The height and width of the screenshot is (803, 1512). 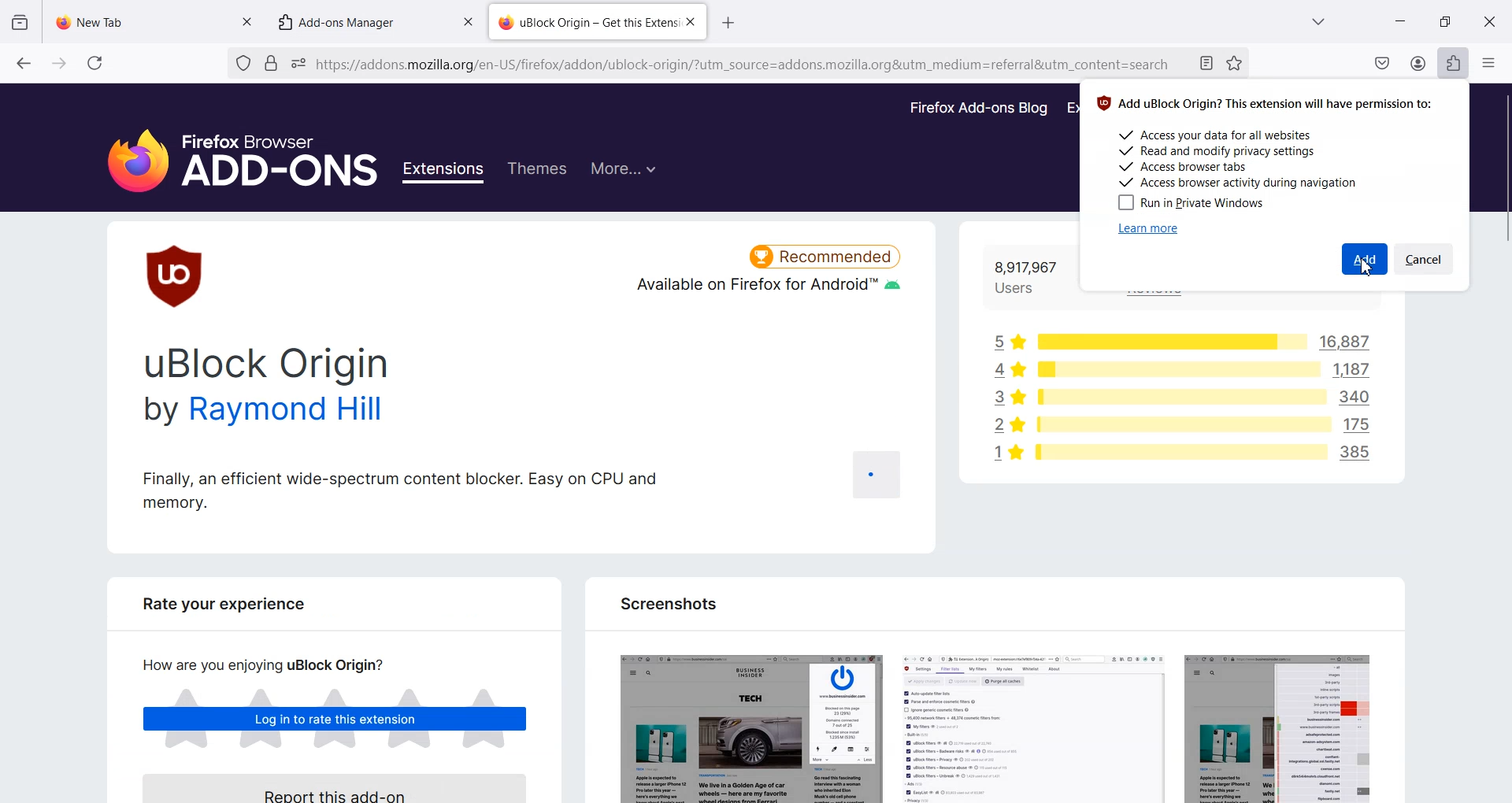 What do you see at coordinates (1003, 398) in the screenshot?
I see `3 star rating` at bounding box center [1003, 398].